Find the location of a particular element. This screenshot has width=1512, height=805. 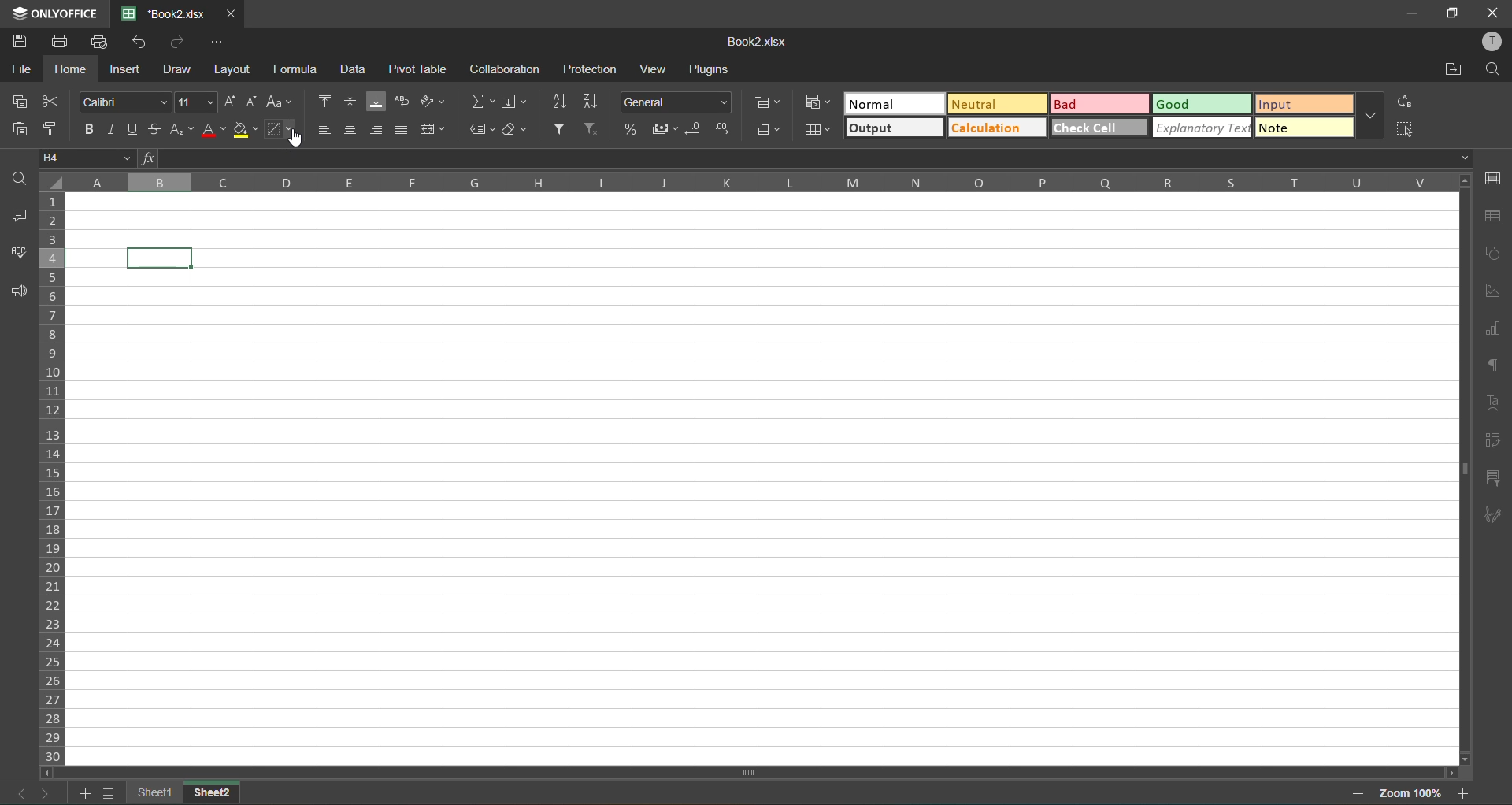

select all is located at coordinates (1405, 128).